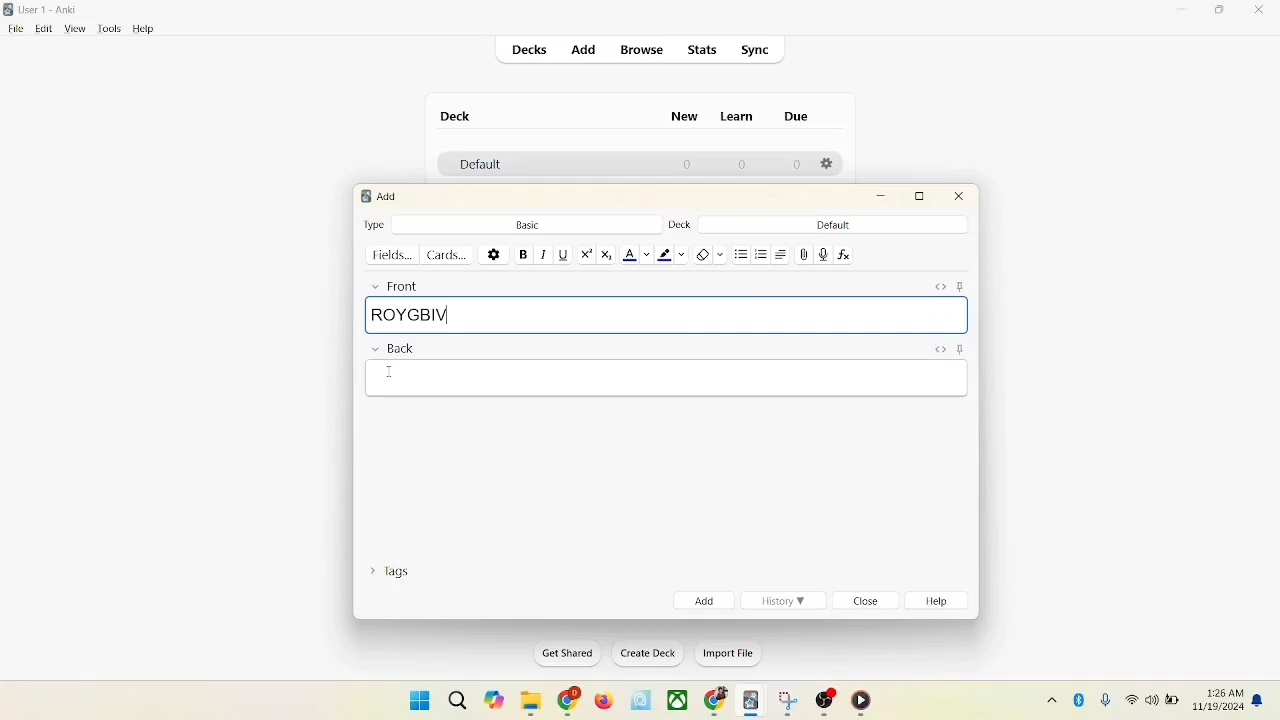 This screenshot has height=720, width=1280. I want to click on sync, so click(756, 50).